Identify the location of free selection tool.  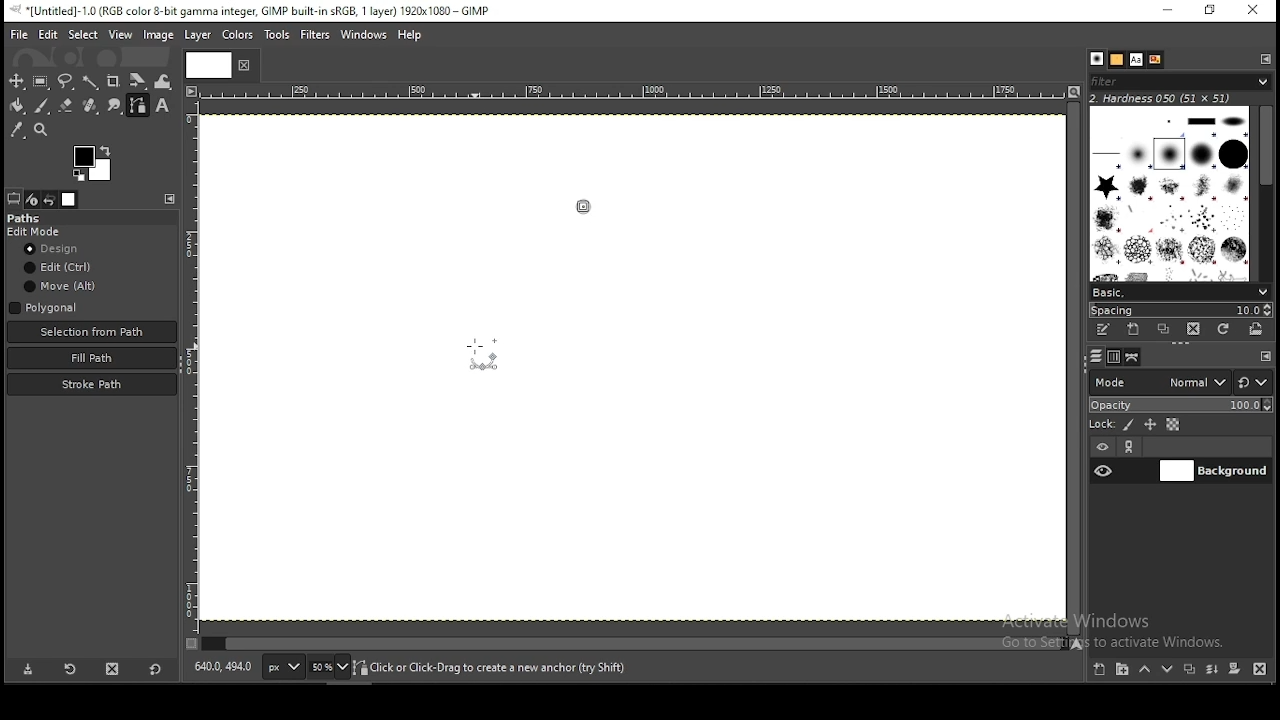
(66, 81).